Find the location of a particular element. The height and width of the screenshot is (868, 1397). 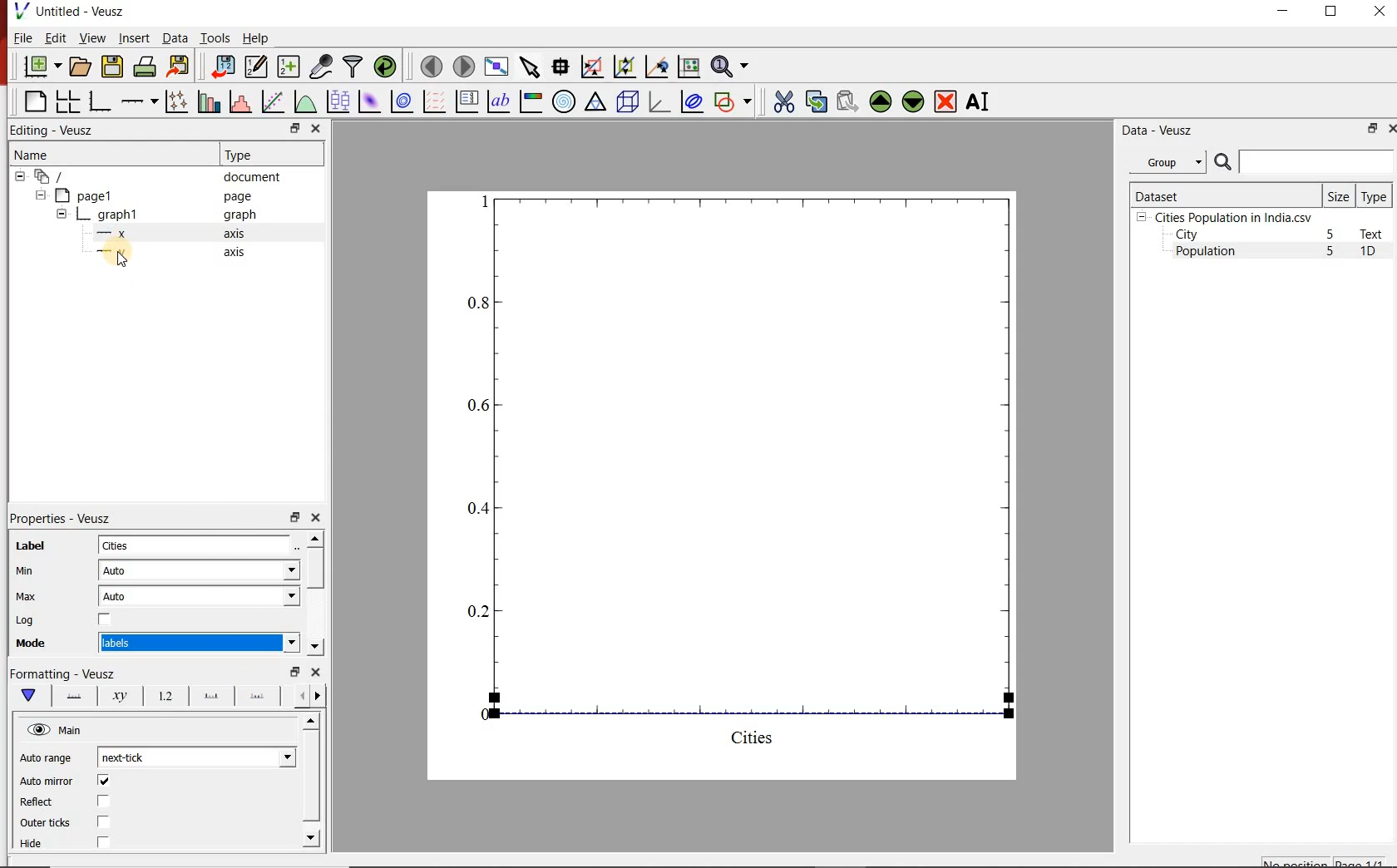

Cities is located at coordinates (199, 545).